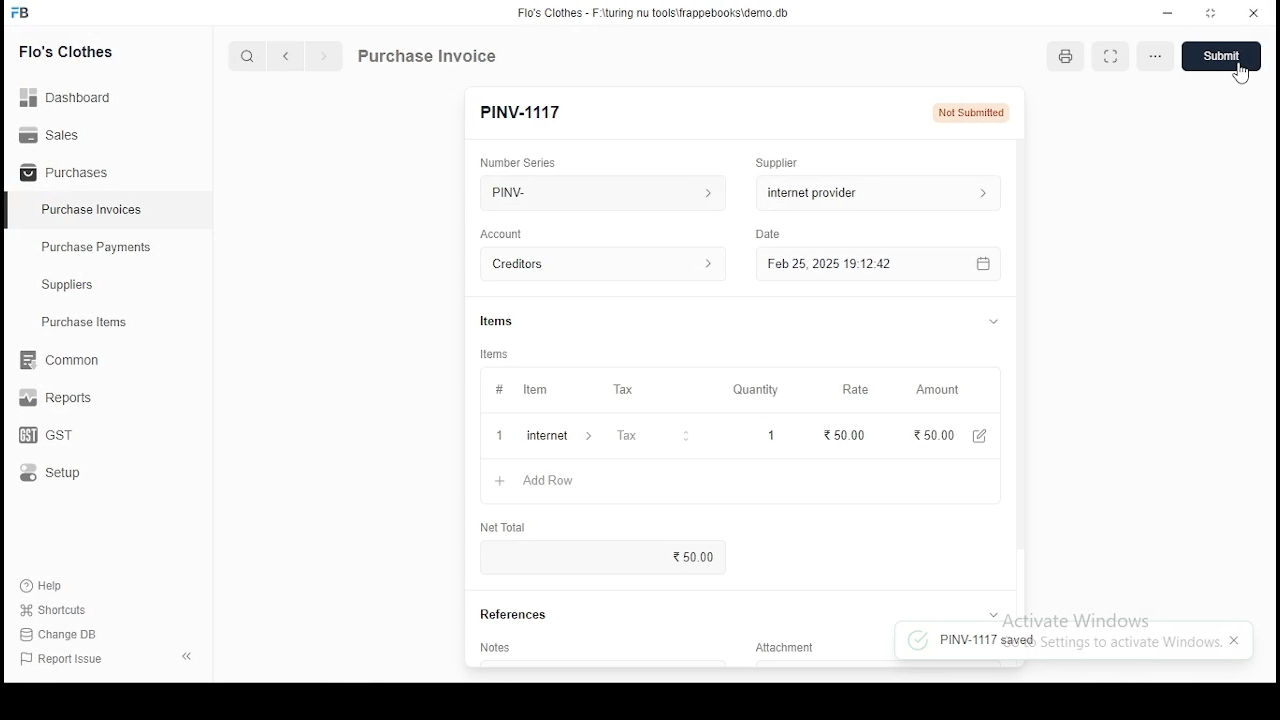 Image resolution: width=1280 pixels, height=720 pixels. I want to click on new entry, so click(520, 112).